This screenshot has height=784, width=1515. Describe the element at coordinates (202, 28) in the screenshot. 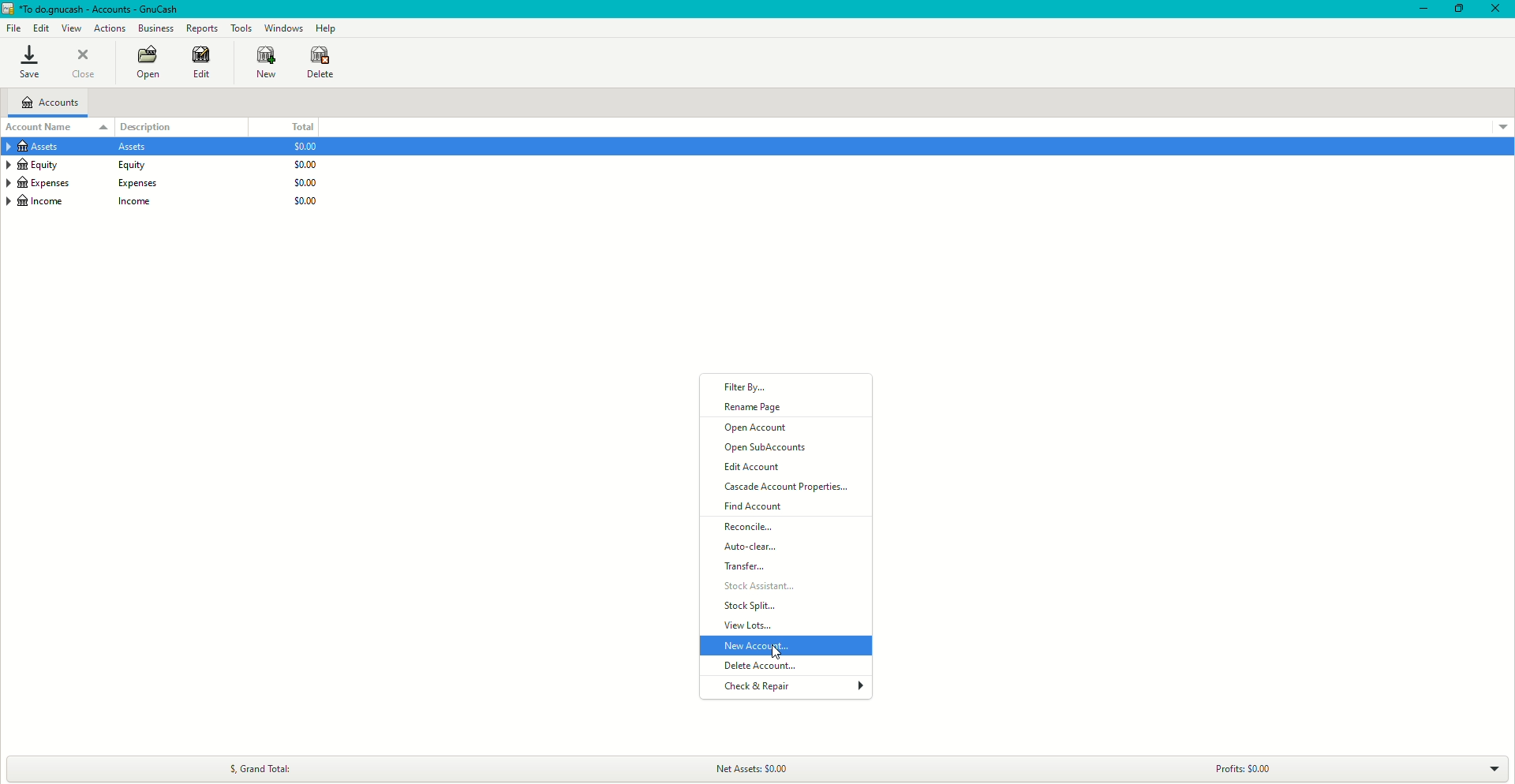

I see `Reports` at that location.